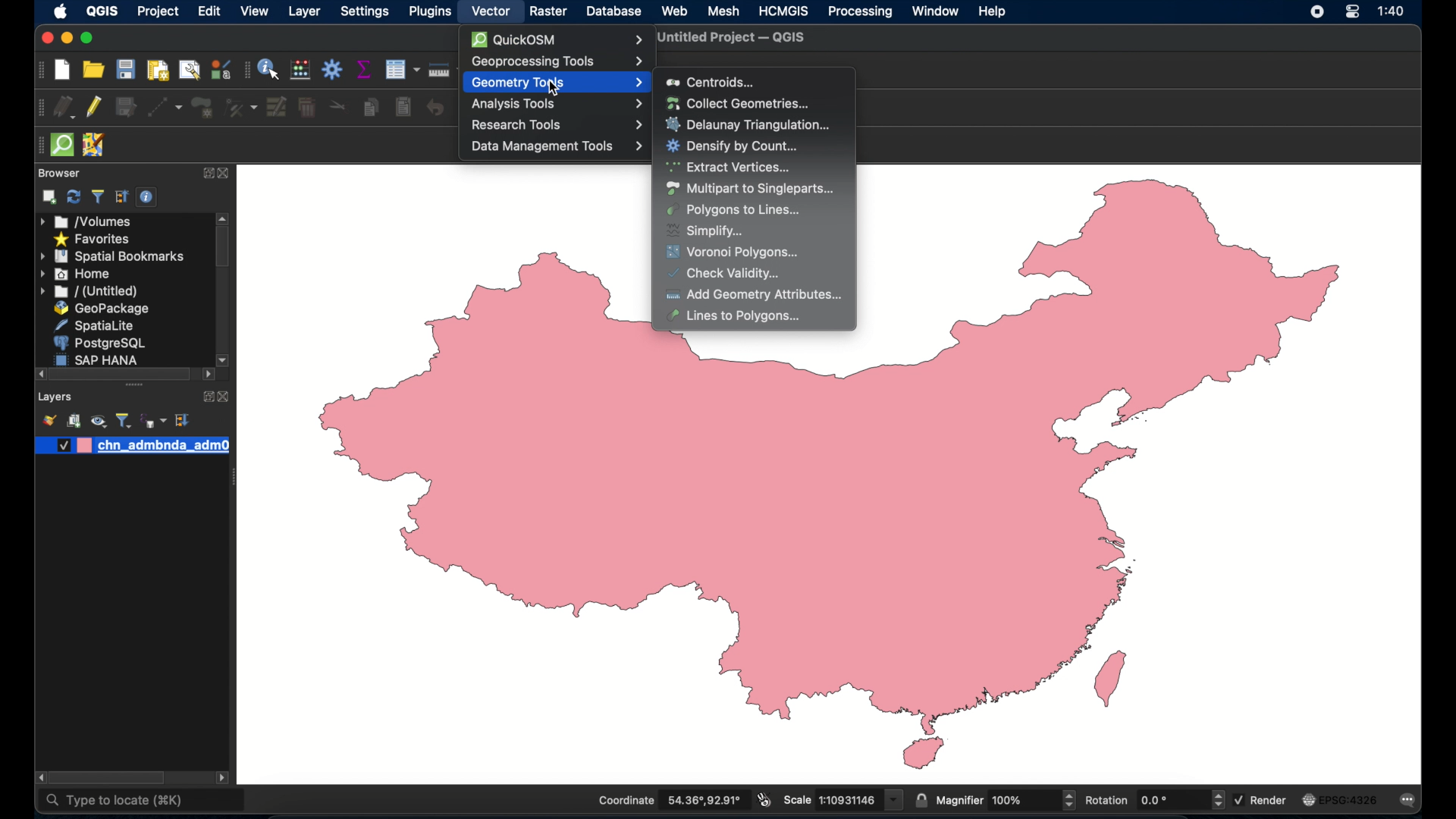 This screenshot has height=819, width=1456. What do you see at coordinates (783, 11) in the screenshot?
I see `HCMGIS` at bounding box center [783, 11].